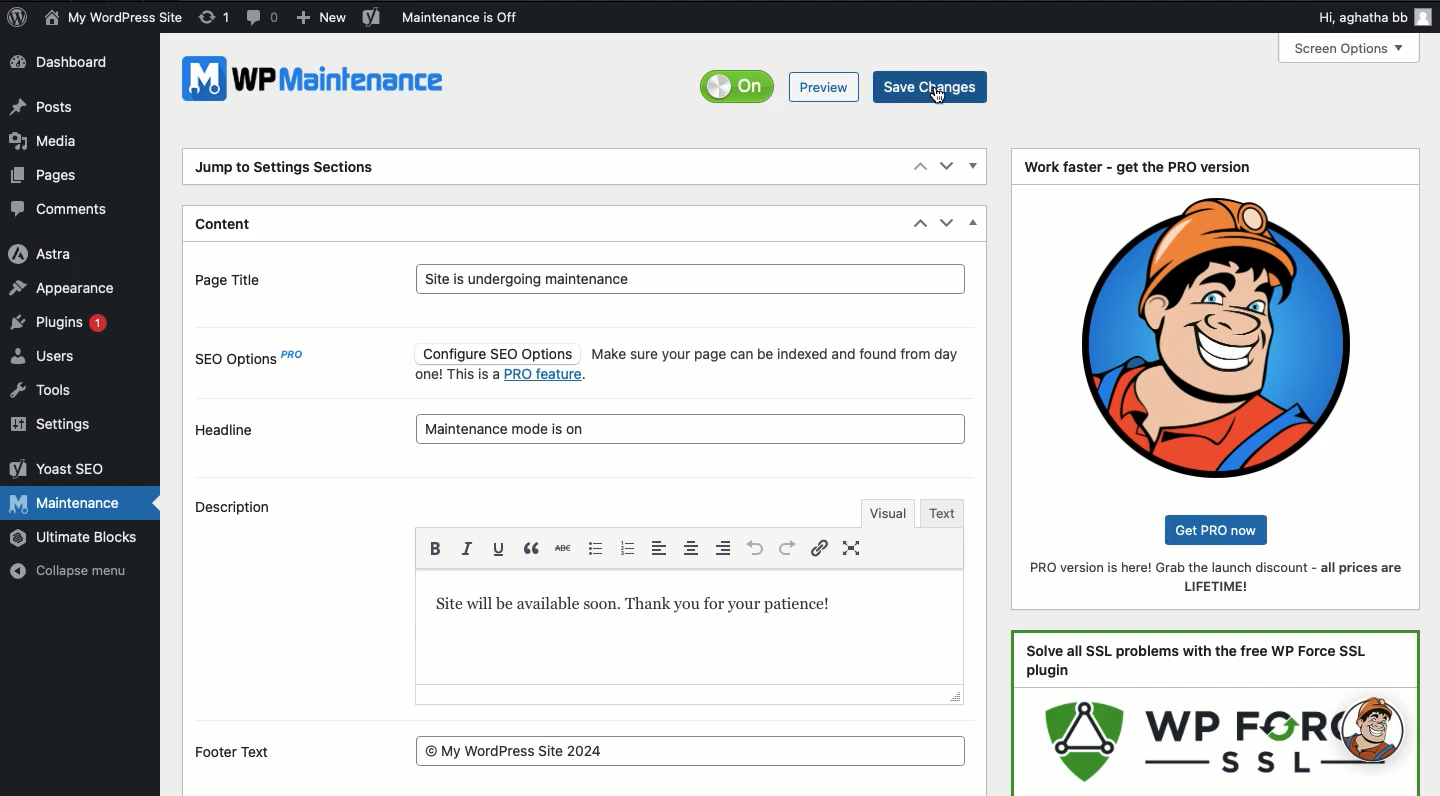 This screenshot has width=1440, height=796. I want to click on Preview, so click(825, 87).